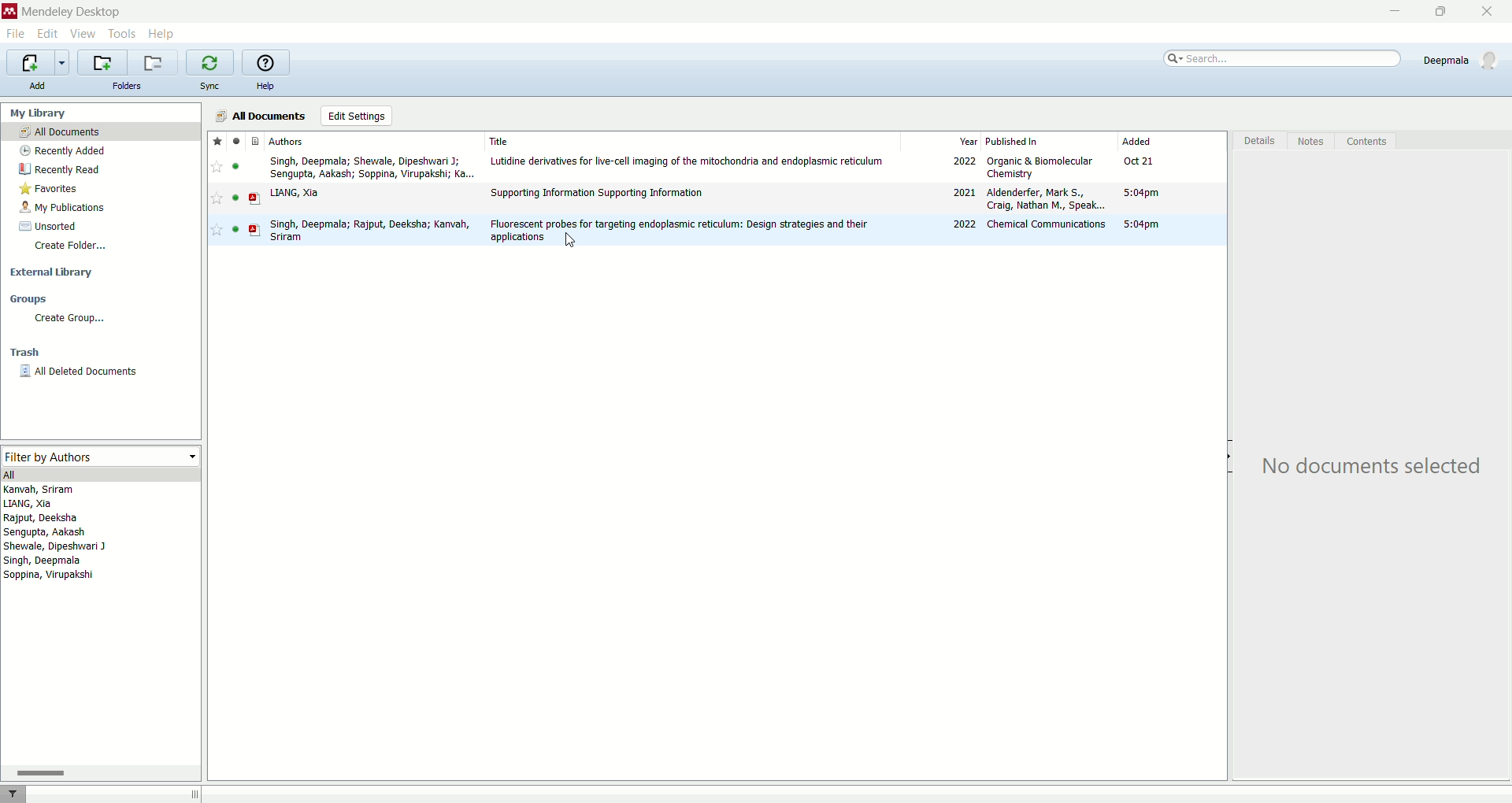 This screenshot has height=803, width=1512. What do you see at coordinates (369, 167) in the screenshot?
I see `Singh, Deepmala; Shewale, Dipeshwari J;
Sengupta, Aakash; Soppina, Virupakshi; Ka...` at bounding box center [369, 167].